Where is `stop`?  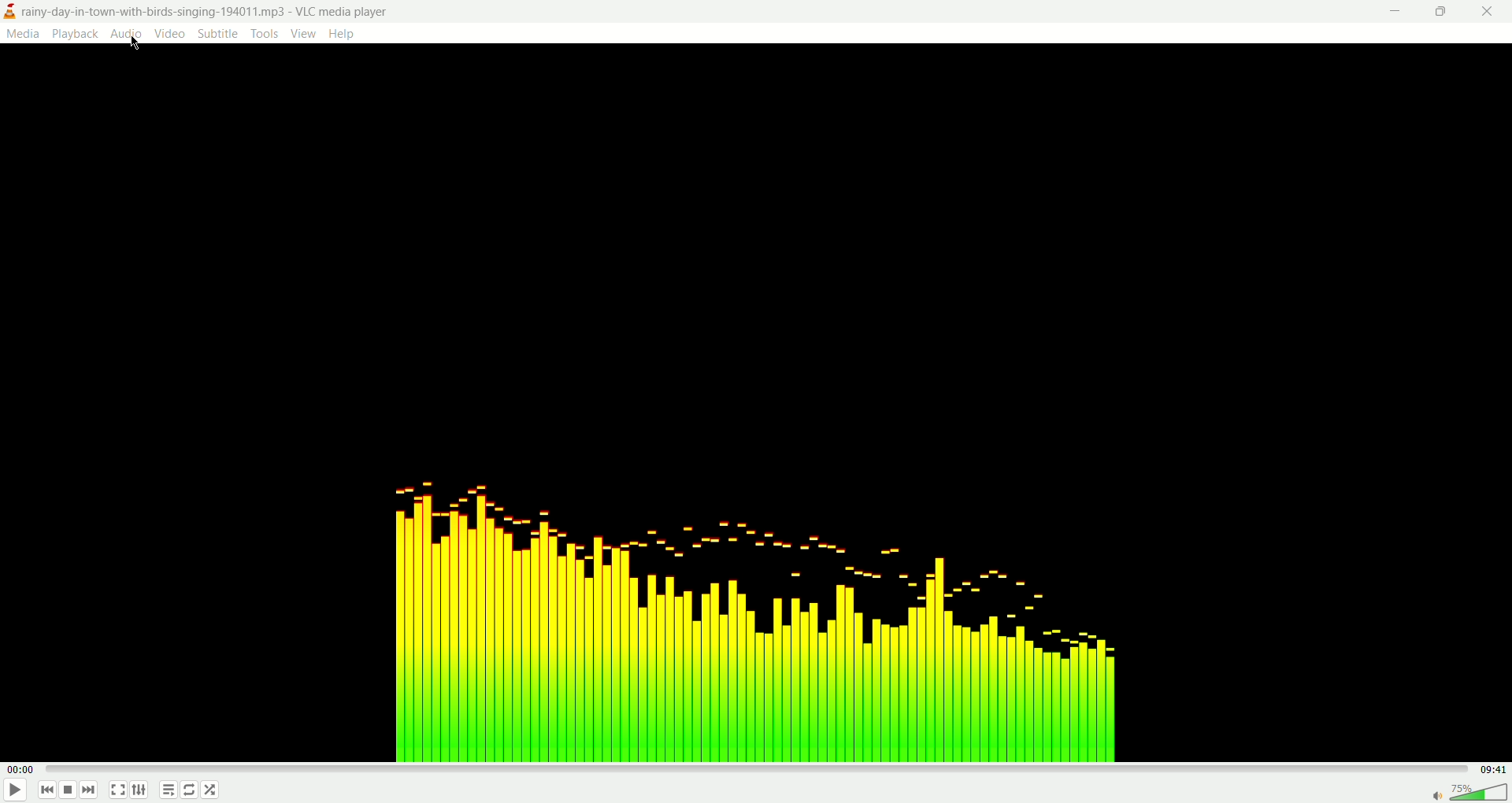
stop is located at coordinates (67, 790).